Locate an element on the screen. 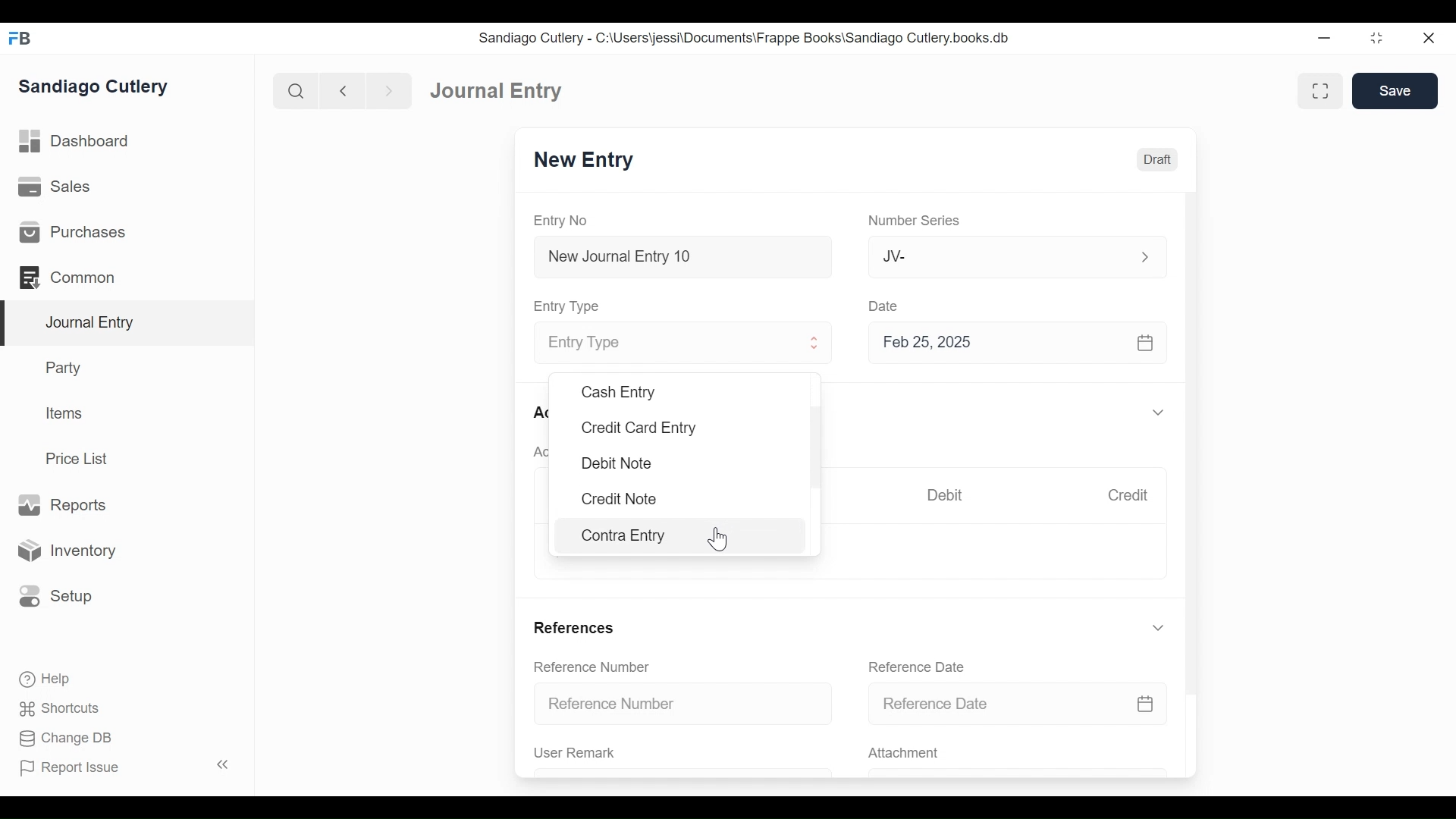  Contra Entry is located at coordinates (639, 537).